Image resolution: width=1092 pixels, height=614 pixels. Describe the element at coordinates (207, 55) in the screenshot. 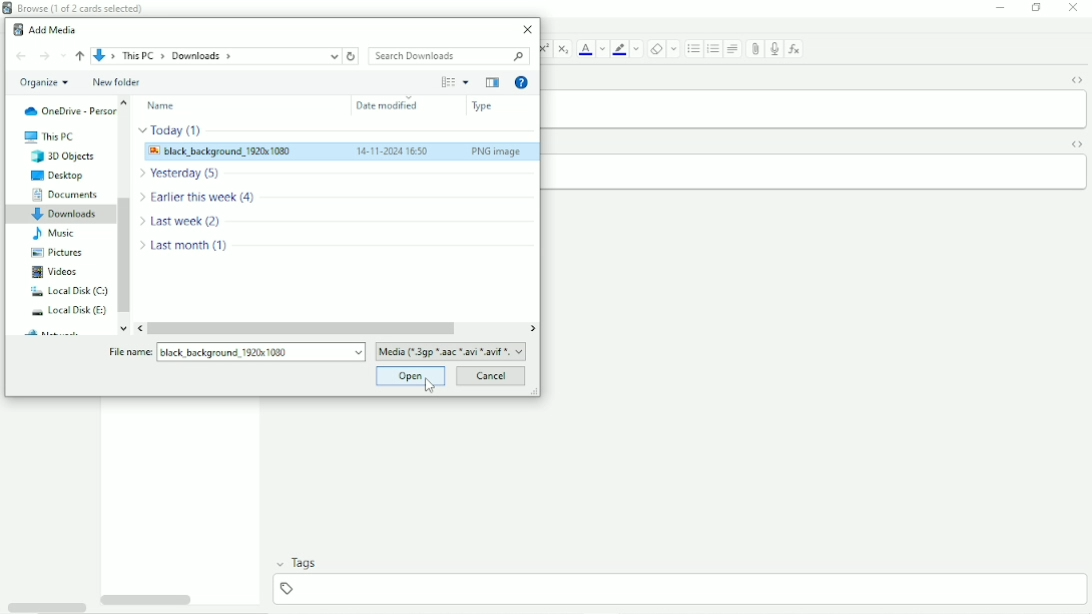

I see `File location path` at that location.